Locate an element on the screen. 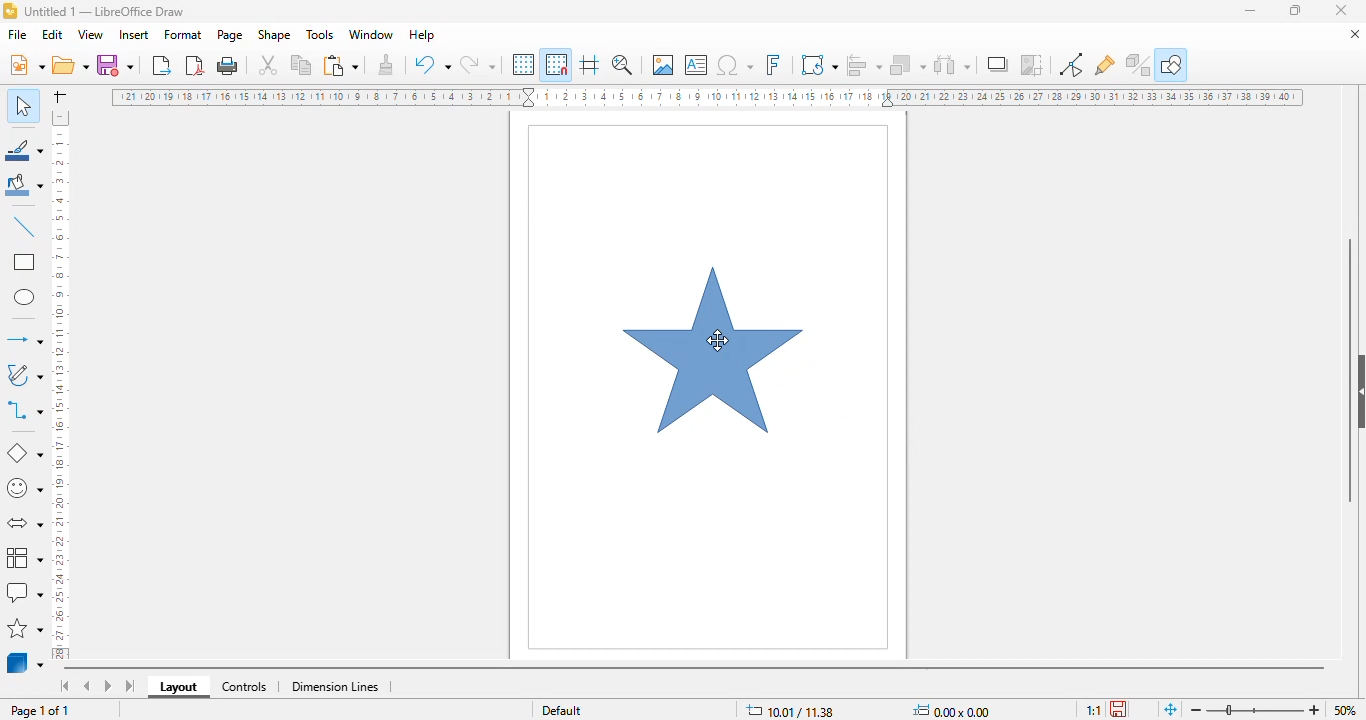 The width and height of the screenshot is (1366, 720). paste is located at coordinates (341, 66).